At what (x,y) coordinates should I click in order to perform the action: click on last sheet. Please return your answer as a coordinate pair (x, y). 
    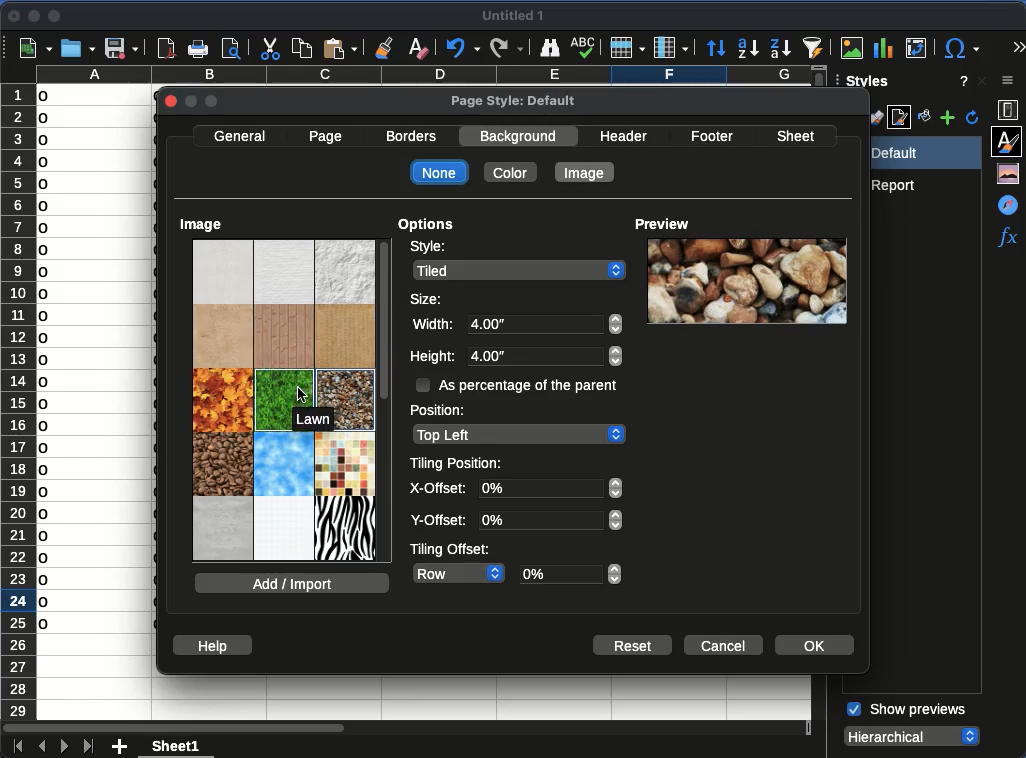
    Looking at the image, I should click on (88, 745).